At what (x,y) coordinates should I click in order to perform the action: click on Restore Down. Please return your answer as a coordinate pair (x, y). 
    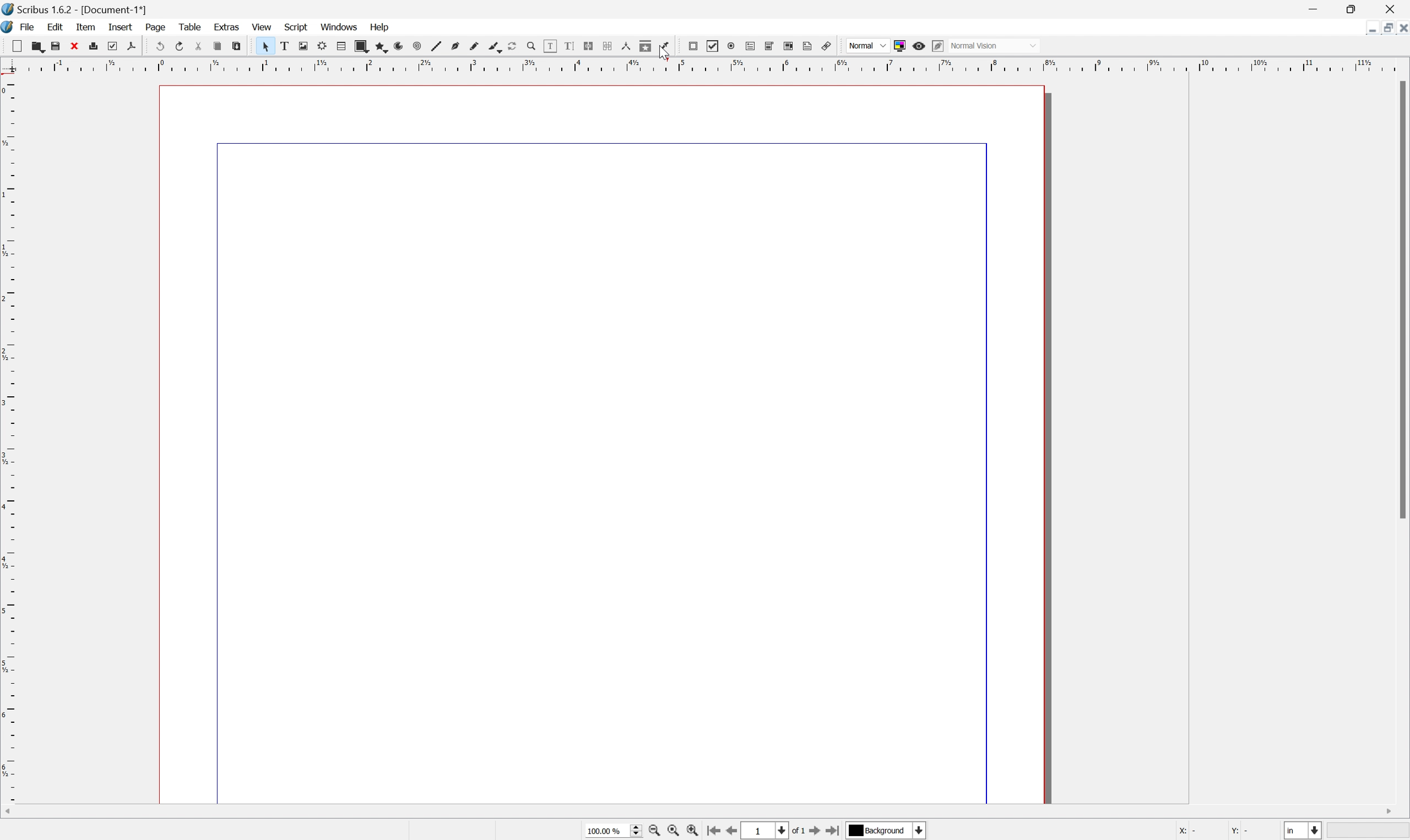
    Looking at the image, I should click on (1386, 29).